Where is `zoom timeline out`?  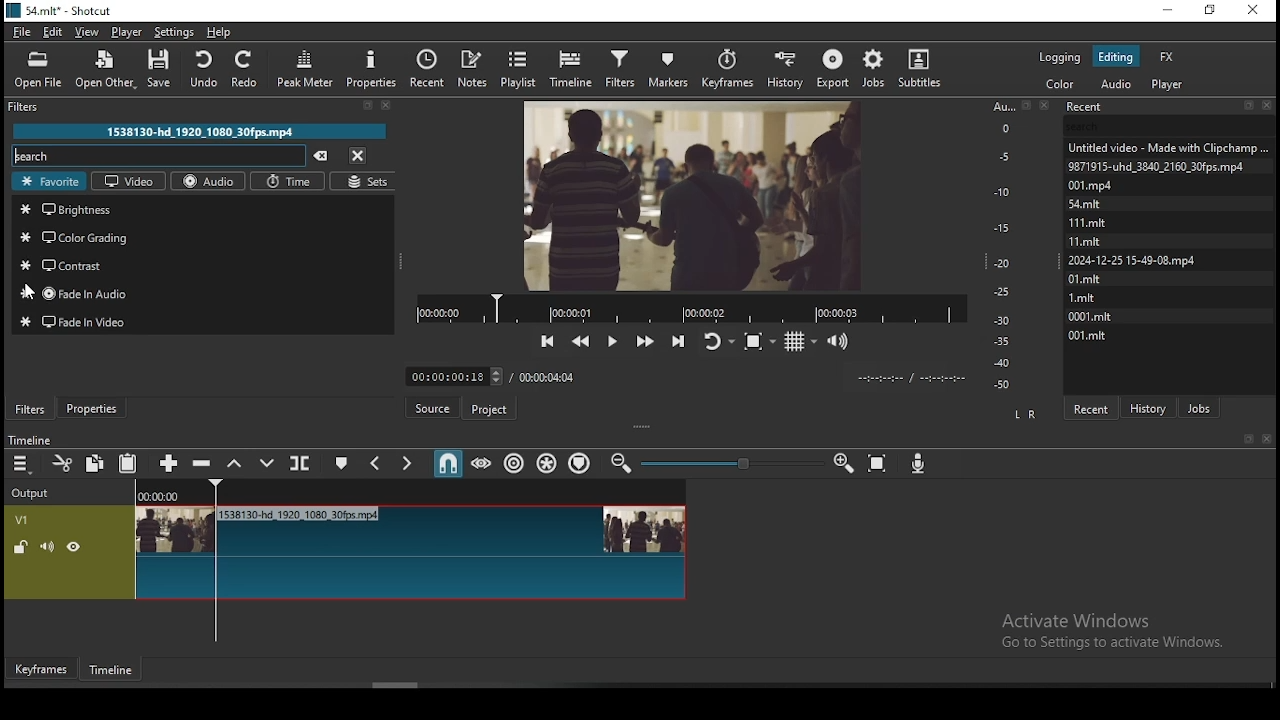 zoom timeline out is located at coordinates (838, 464).